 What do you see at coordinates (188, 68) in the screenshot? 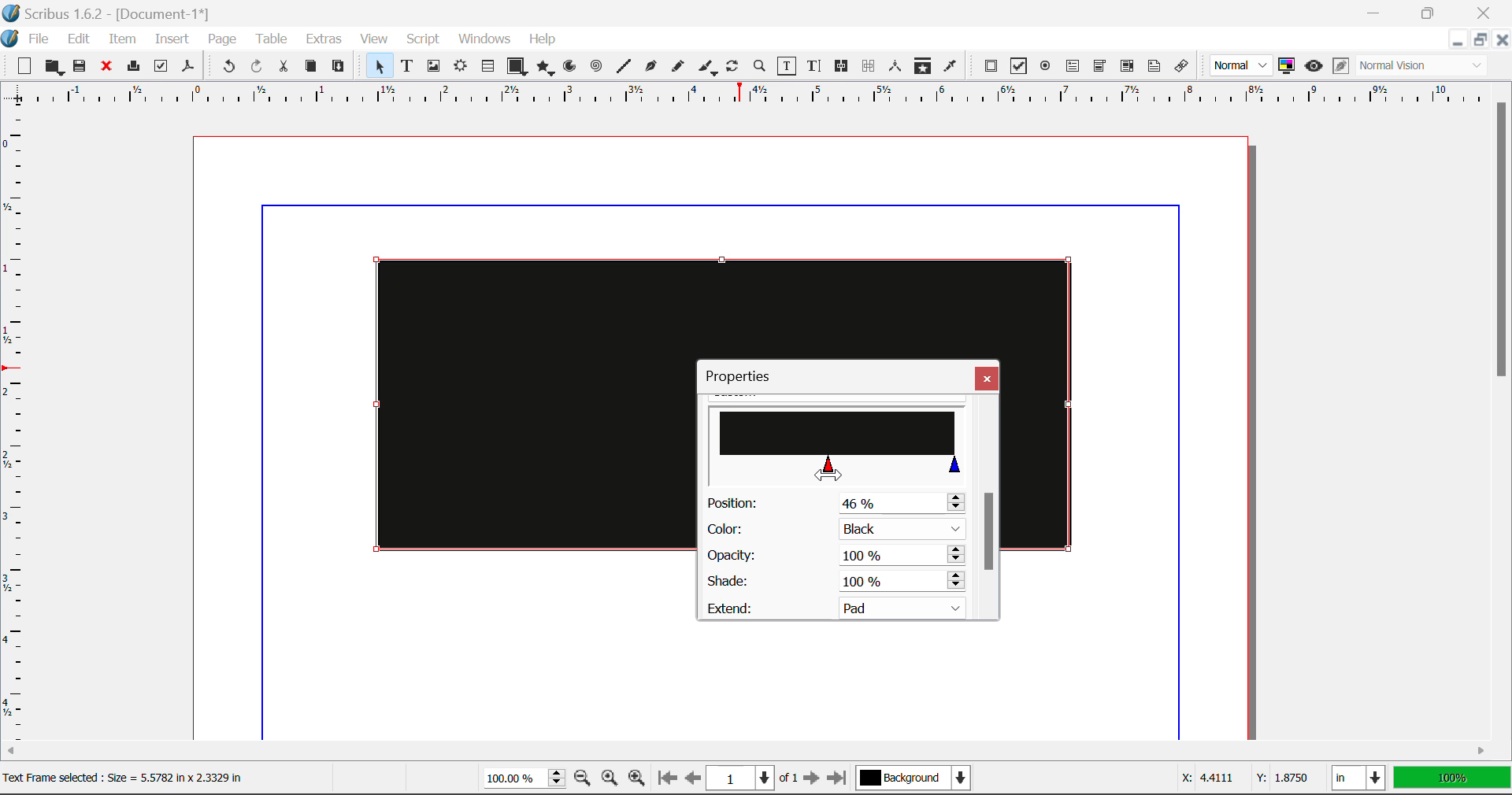
I see `Save as Pdf` at bounding box center [188, 68].